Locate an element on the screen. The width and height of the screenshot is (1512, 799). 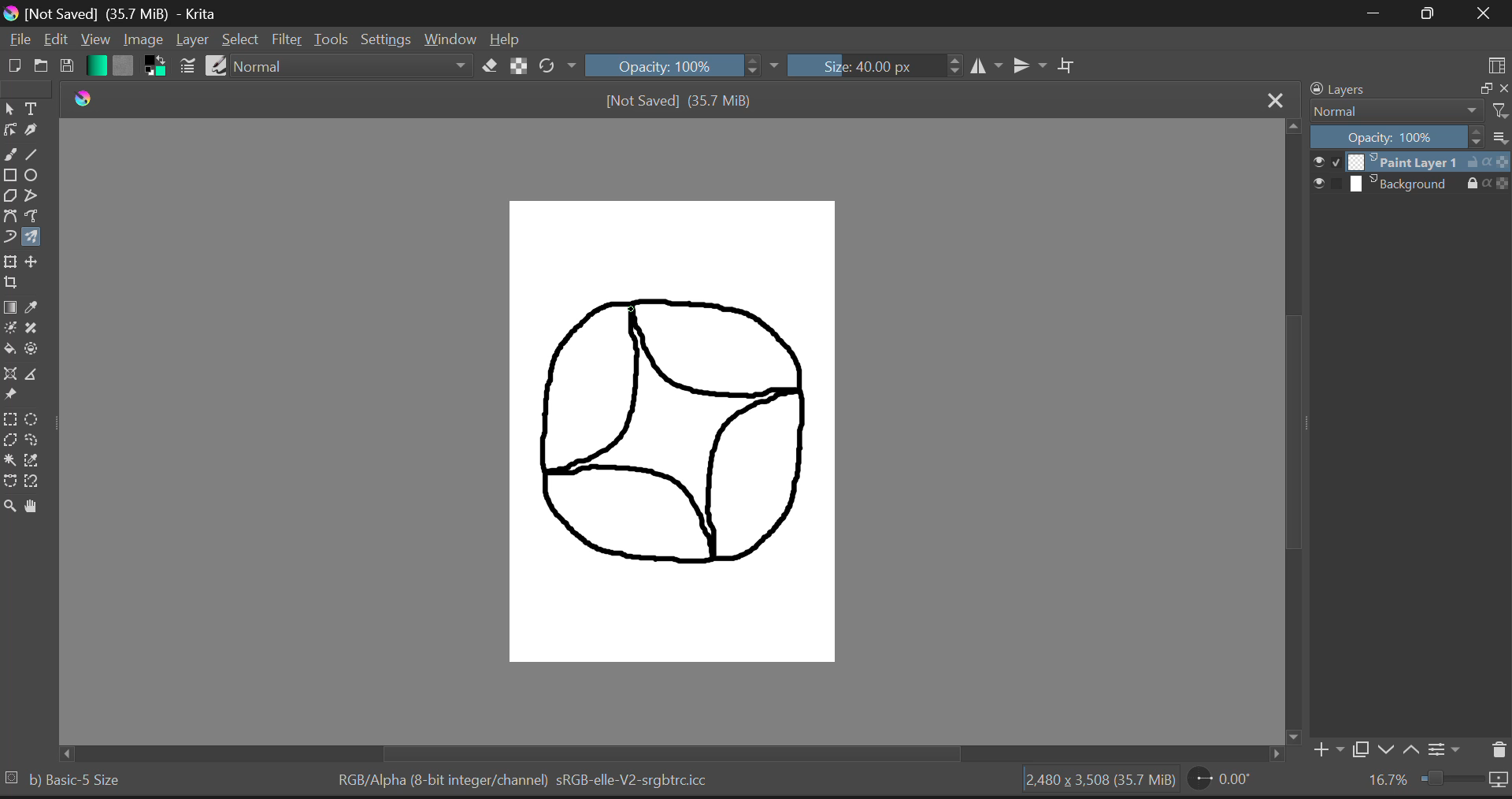
Polygons is located at coordinates (9, 195).